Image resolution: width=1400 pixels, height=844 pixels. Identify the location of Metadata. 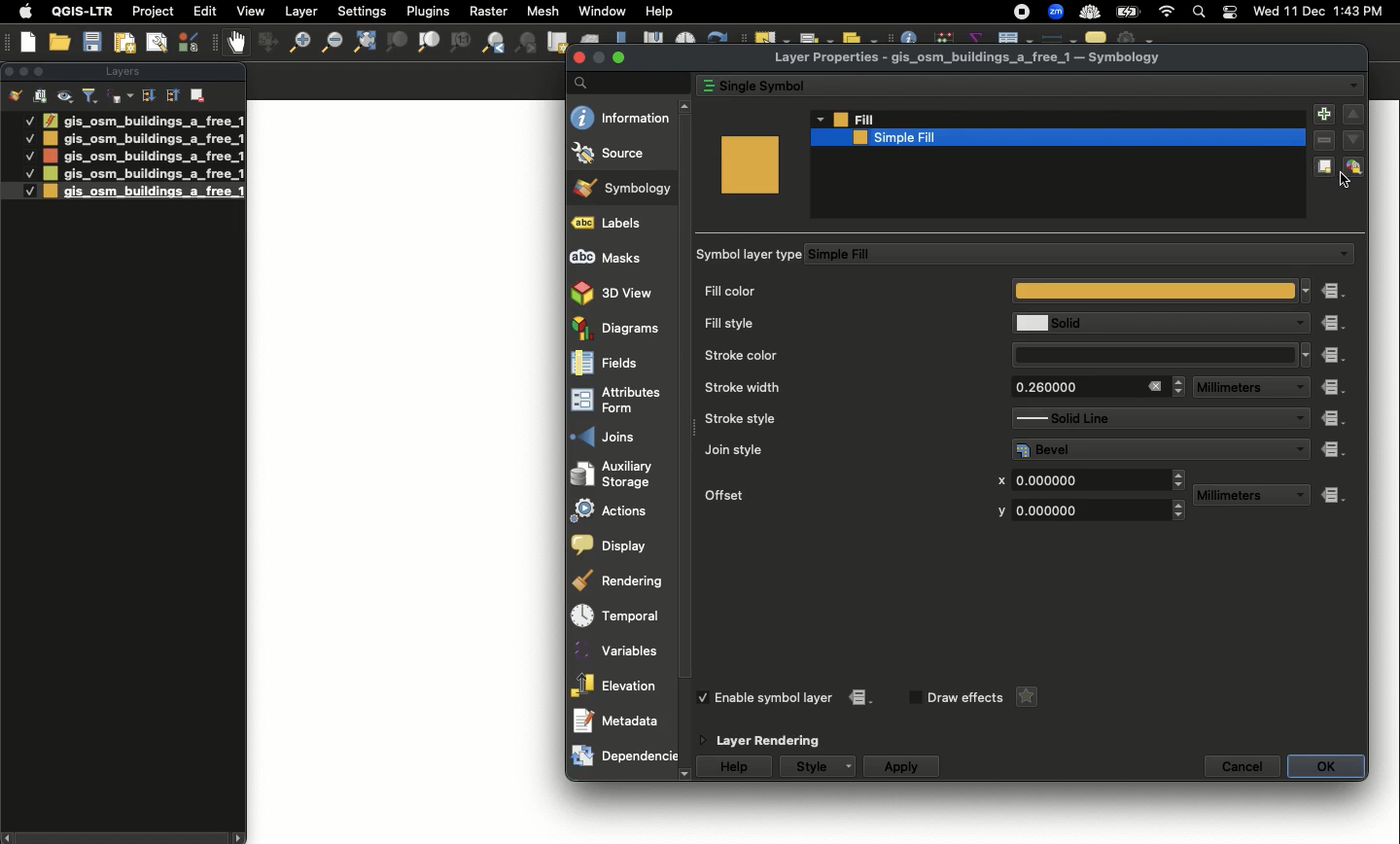
(621, 722).